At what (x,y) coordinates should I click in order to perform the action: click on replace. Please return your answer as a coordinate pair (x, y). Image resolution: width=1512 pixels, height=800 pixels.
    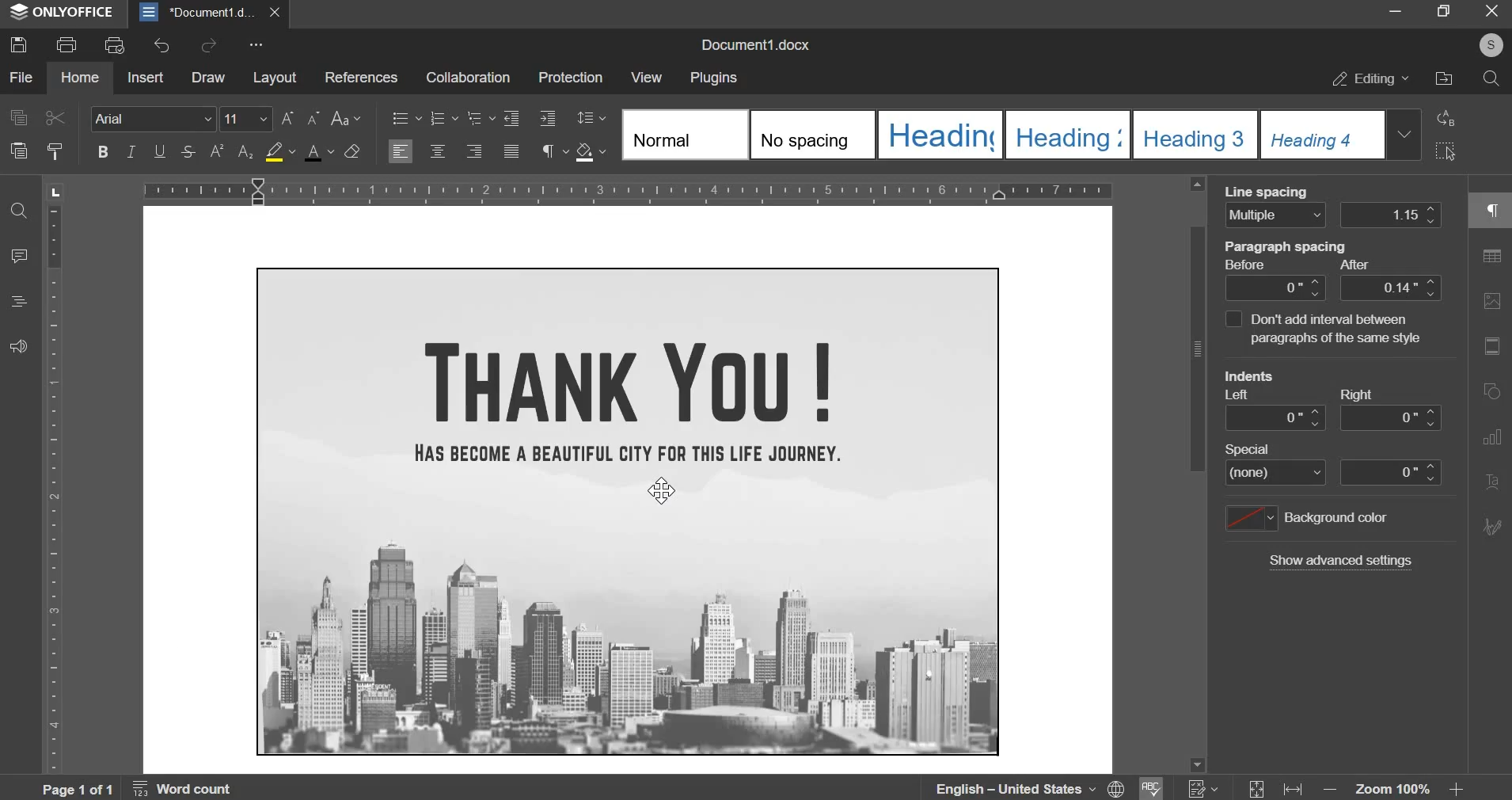
    Looking at the image, I should click on (1446, 117).